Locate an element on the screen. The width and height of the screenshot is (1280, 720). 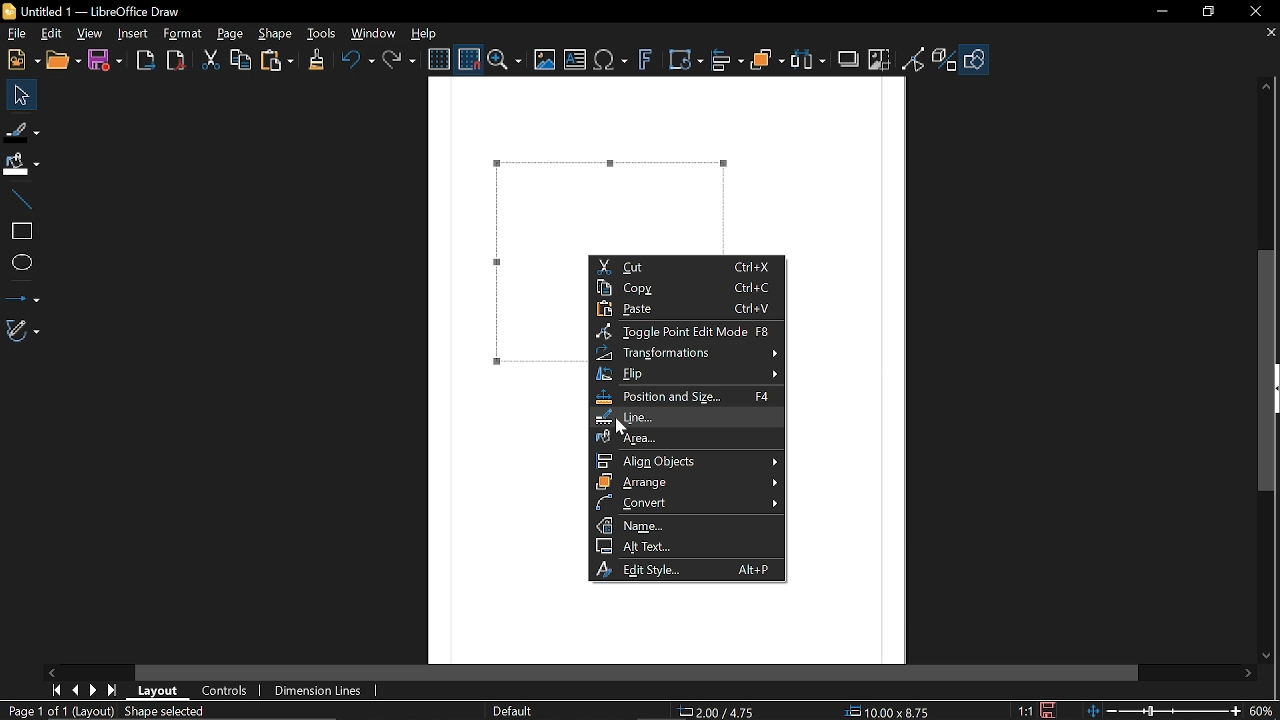
Open is located at coordinates (62, 61).